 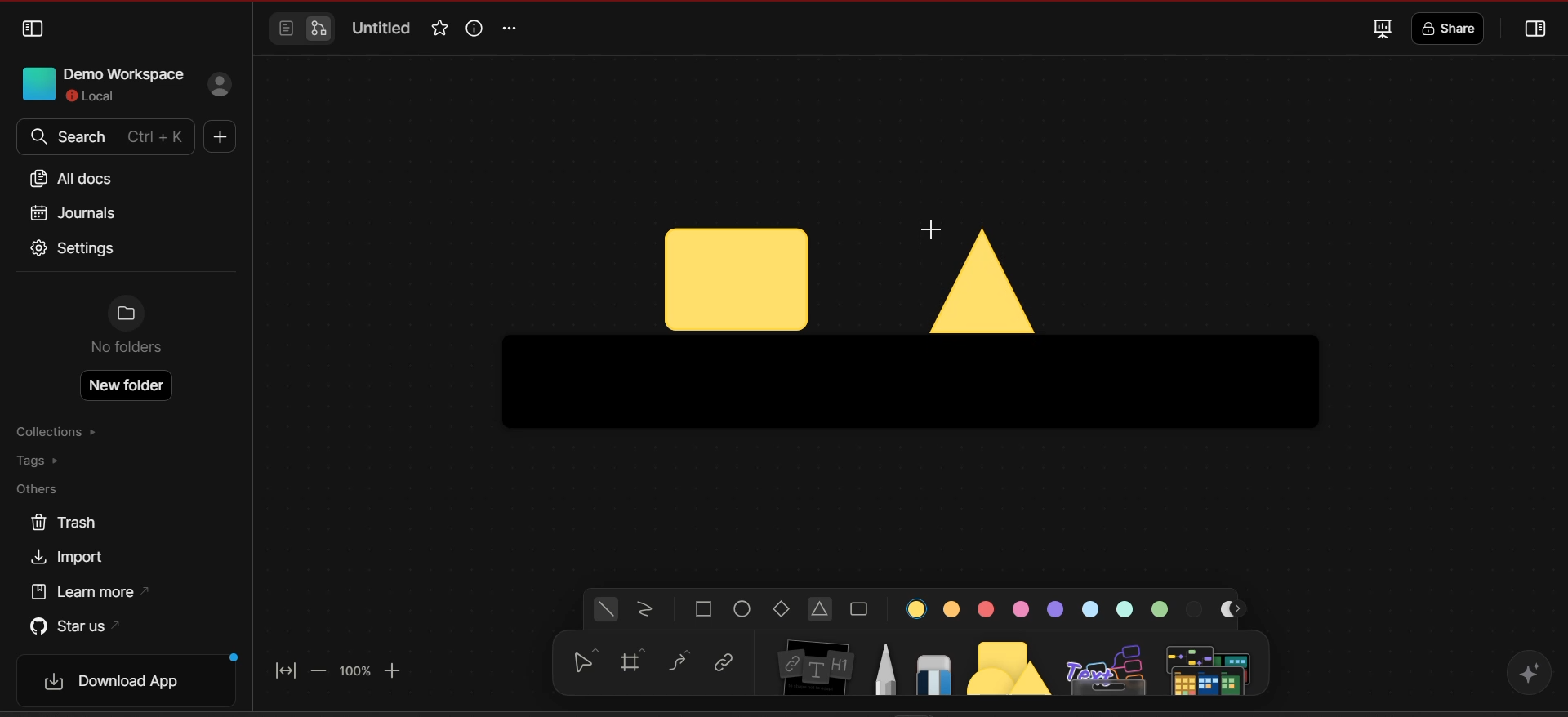 What do you see at coordinates (1108, 666) in the screenshot?
I see `others` at bounding box center [1108, 666].